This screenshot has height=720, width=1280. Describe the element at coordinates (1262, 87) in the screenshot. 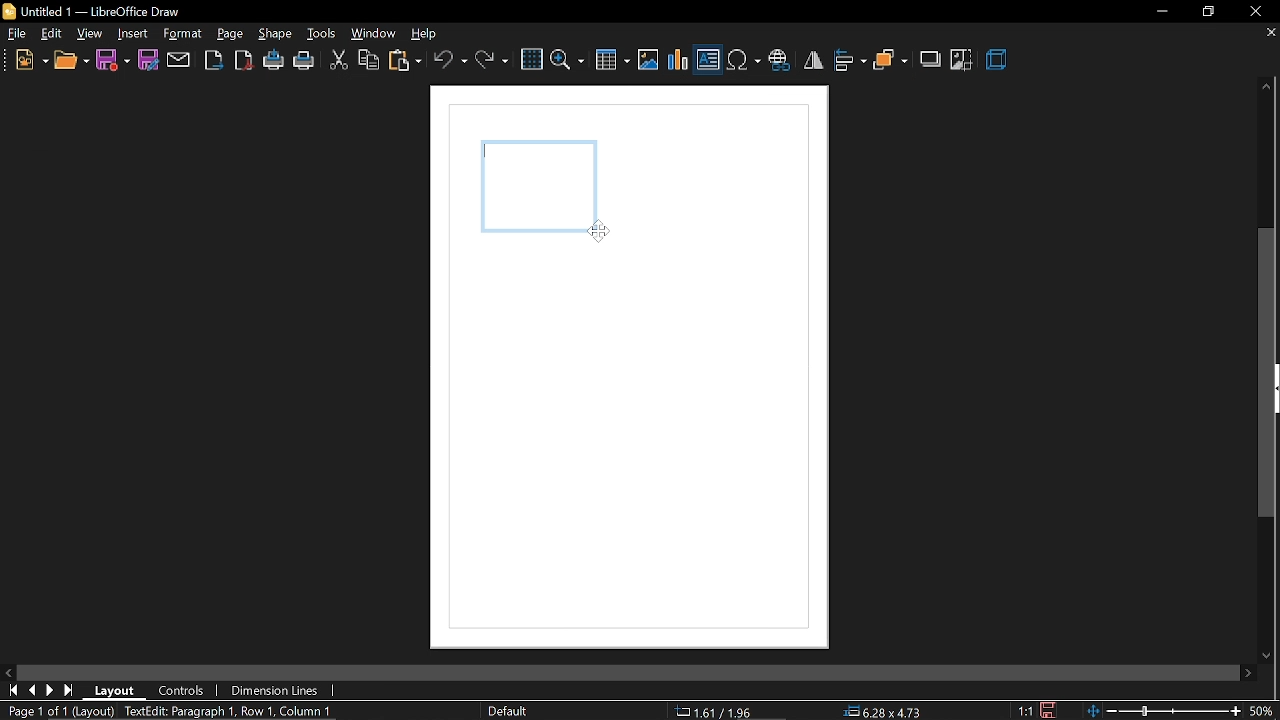

I see `move up` at that location.